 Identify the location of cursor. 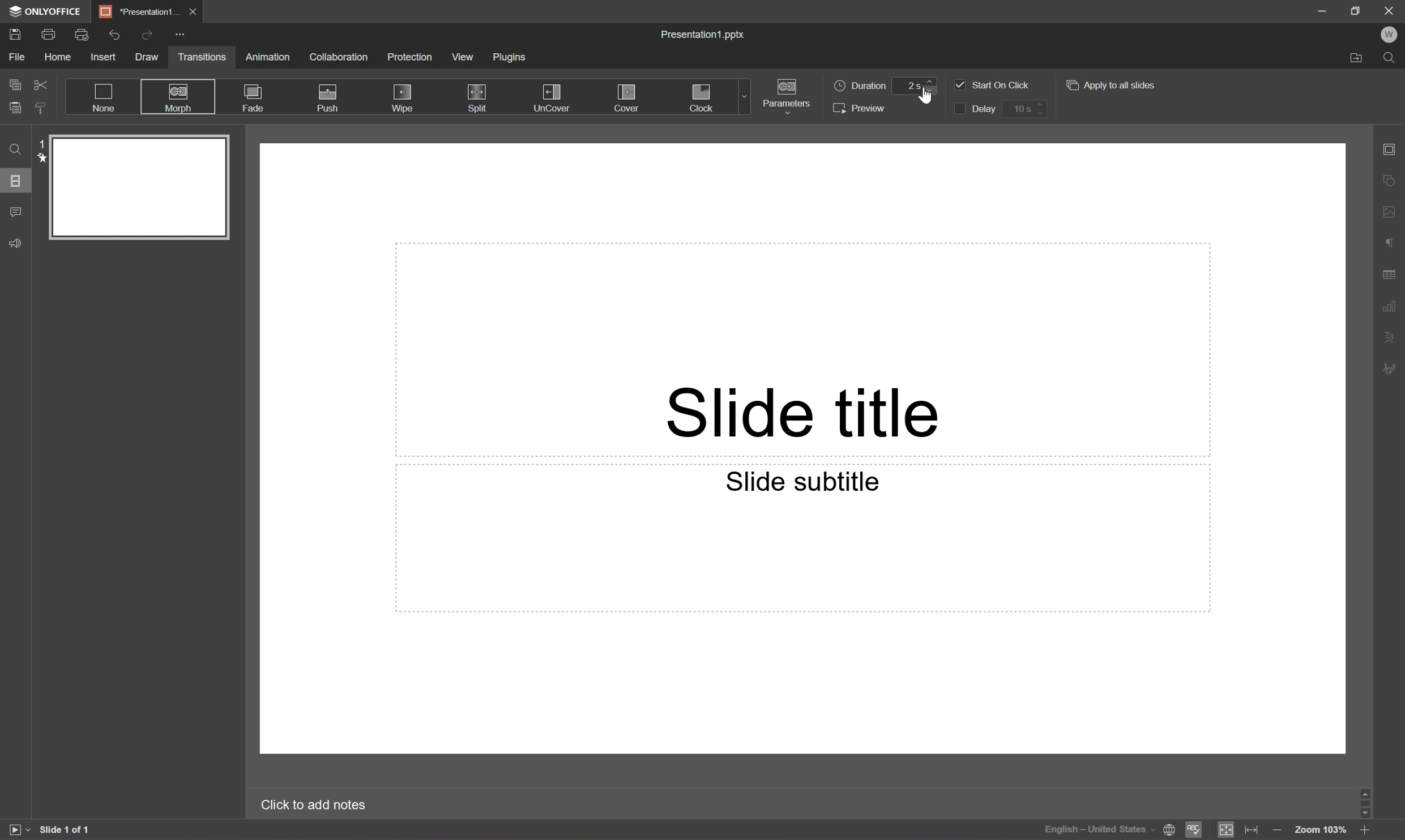
(926, 97).